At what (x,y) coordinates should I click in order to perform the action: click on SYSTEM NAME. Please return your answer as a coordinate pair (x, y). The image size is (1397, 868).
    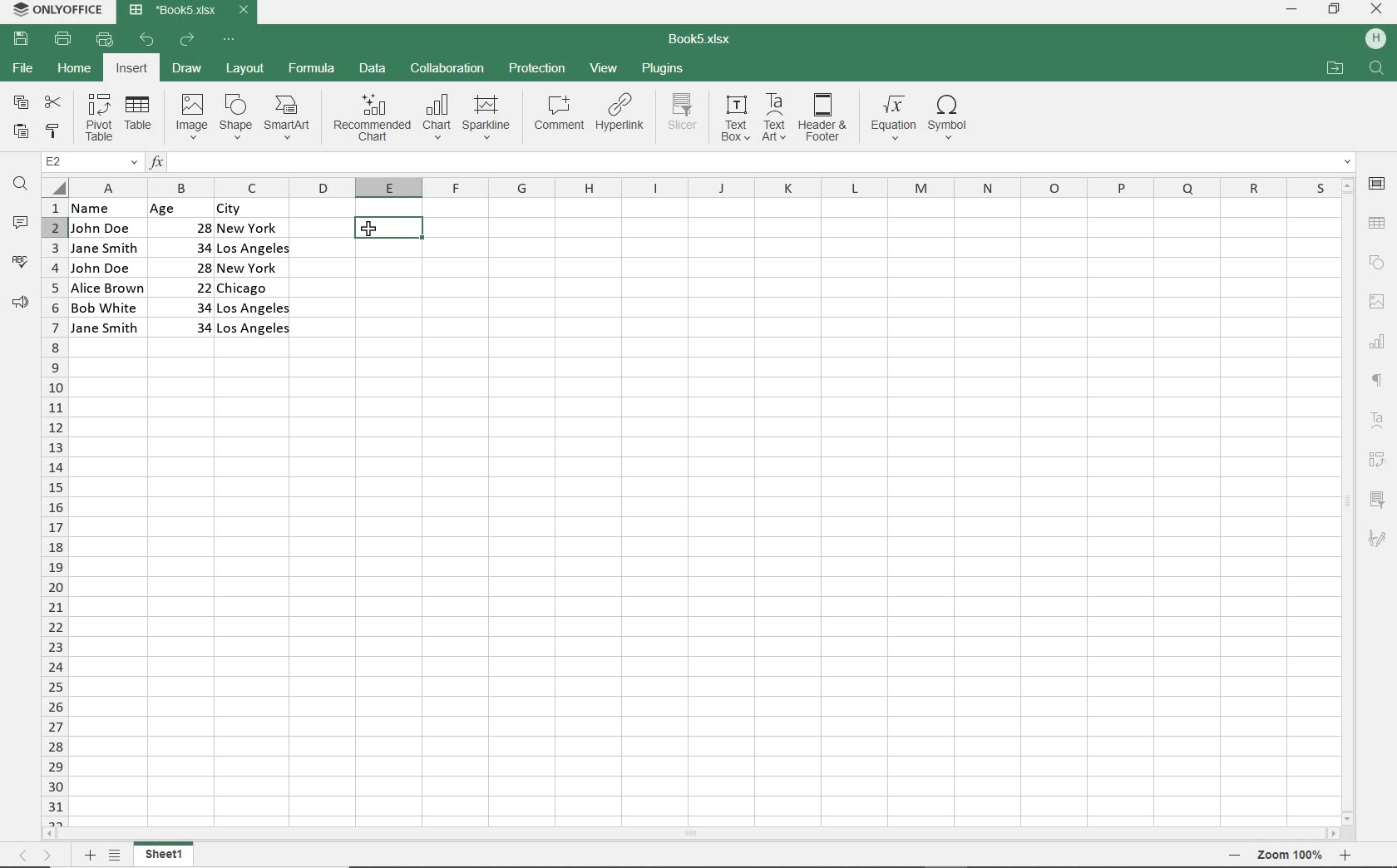
    Looking at the image, I should click on (60, 9).